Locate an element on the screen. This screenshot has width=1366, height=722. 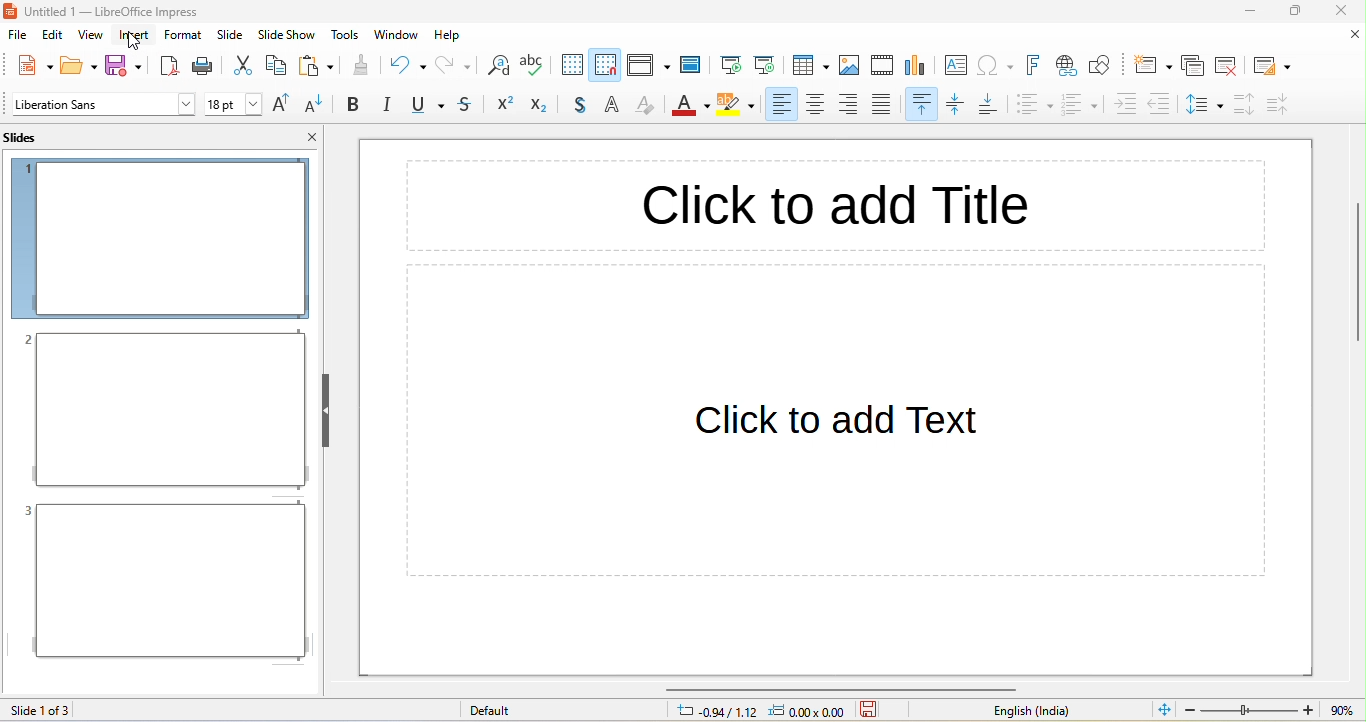
open is located at coordinates (80, 64).